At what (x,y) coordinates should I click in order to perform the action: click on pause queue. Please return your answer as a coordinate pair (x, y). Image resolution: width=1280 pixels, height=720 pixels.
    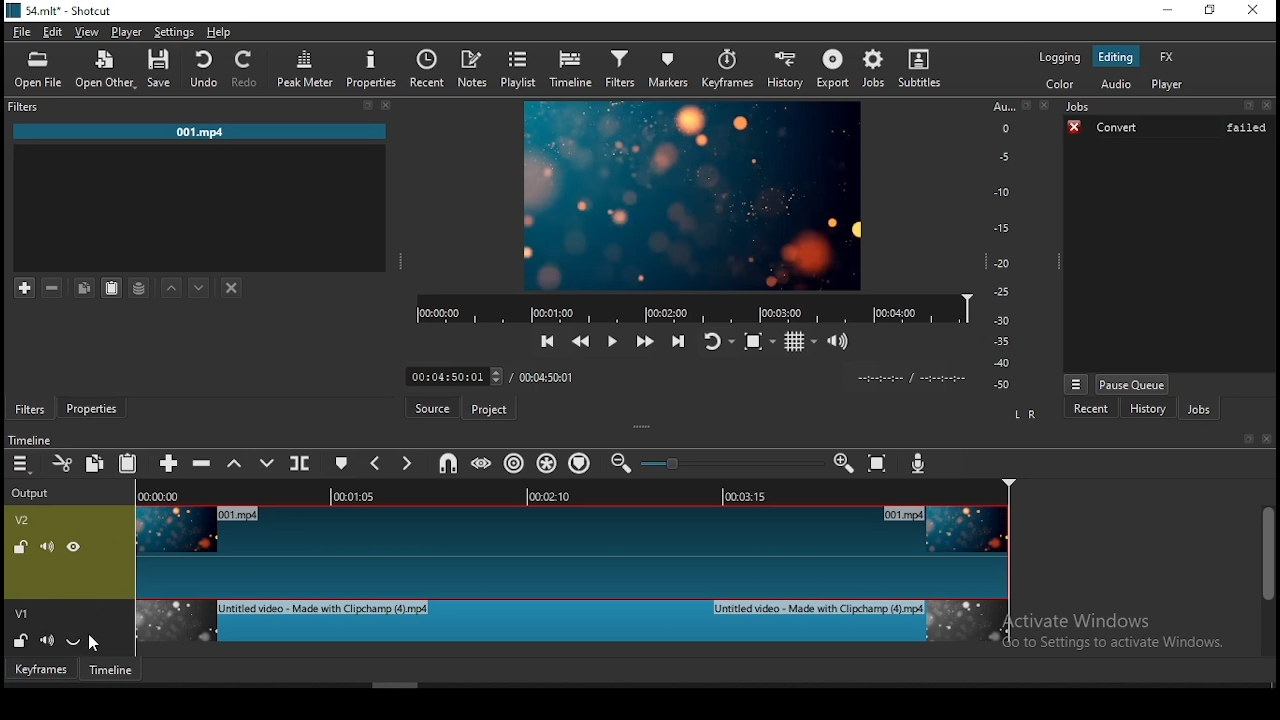
    Looking at the image, I should click on (1132, 385).